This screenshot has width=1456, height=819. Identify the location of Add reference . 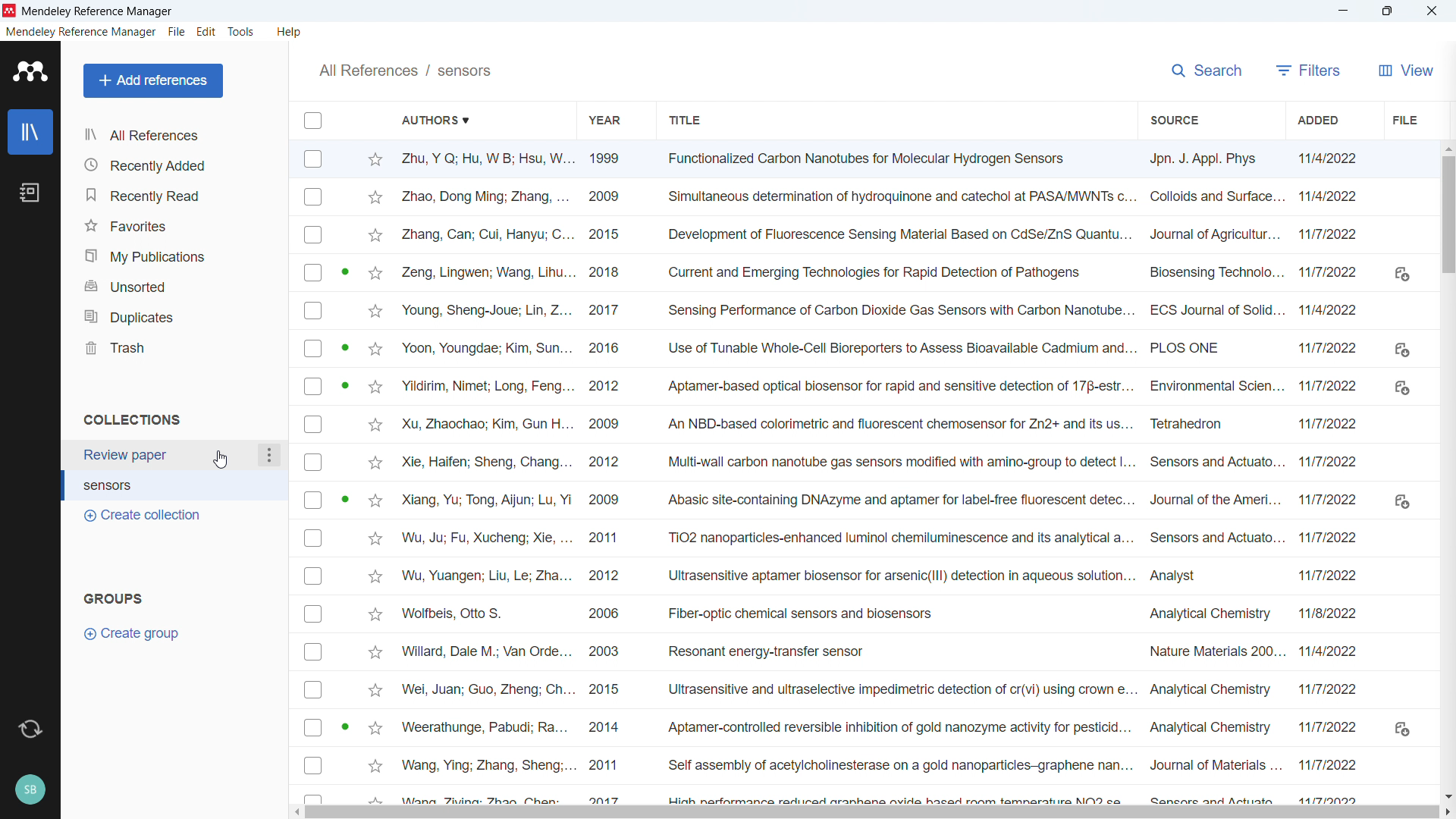
(154, 81).